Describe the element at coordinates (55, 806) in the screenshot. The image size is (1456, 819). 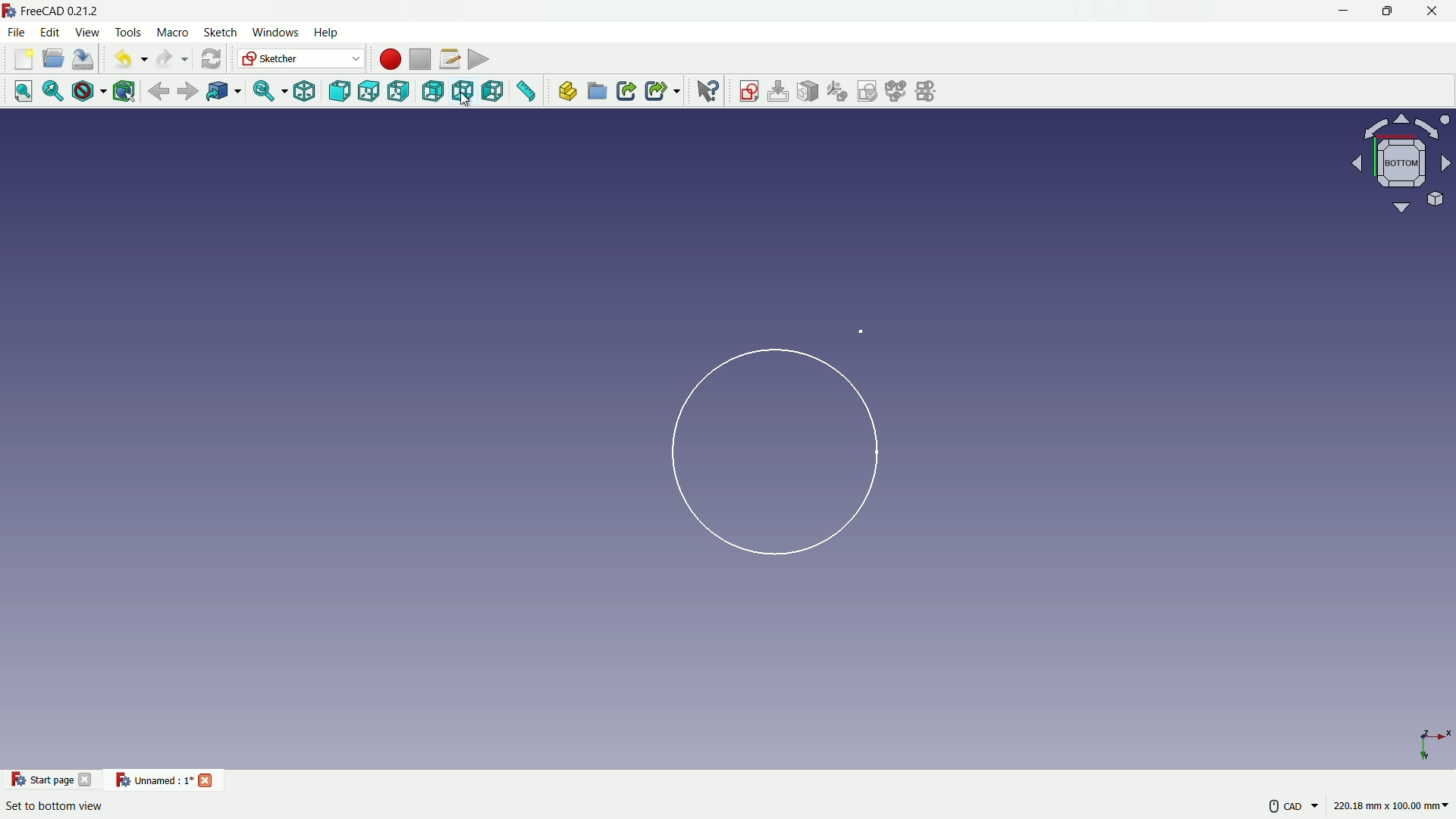
I see `set to bottom view` at that location.